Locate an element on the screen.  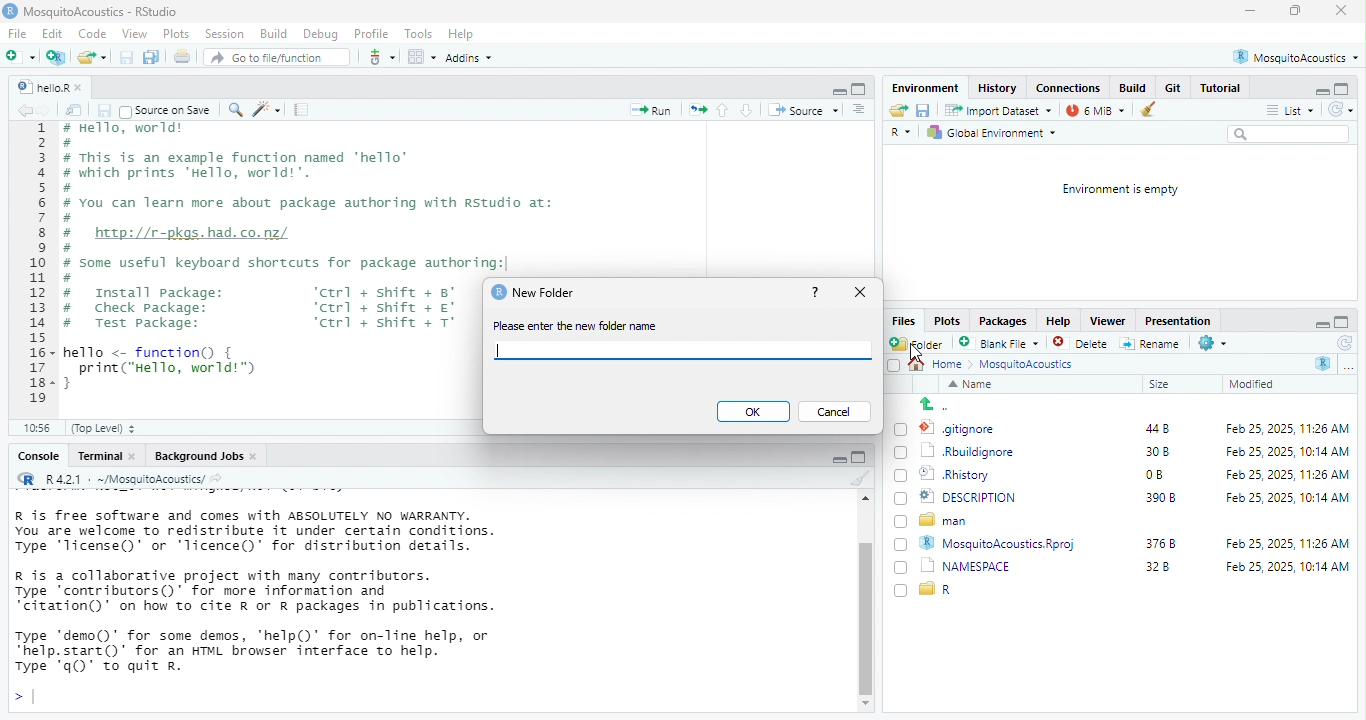
code tools is located at coordinates (269, 111).